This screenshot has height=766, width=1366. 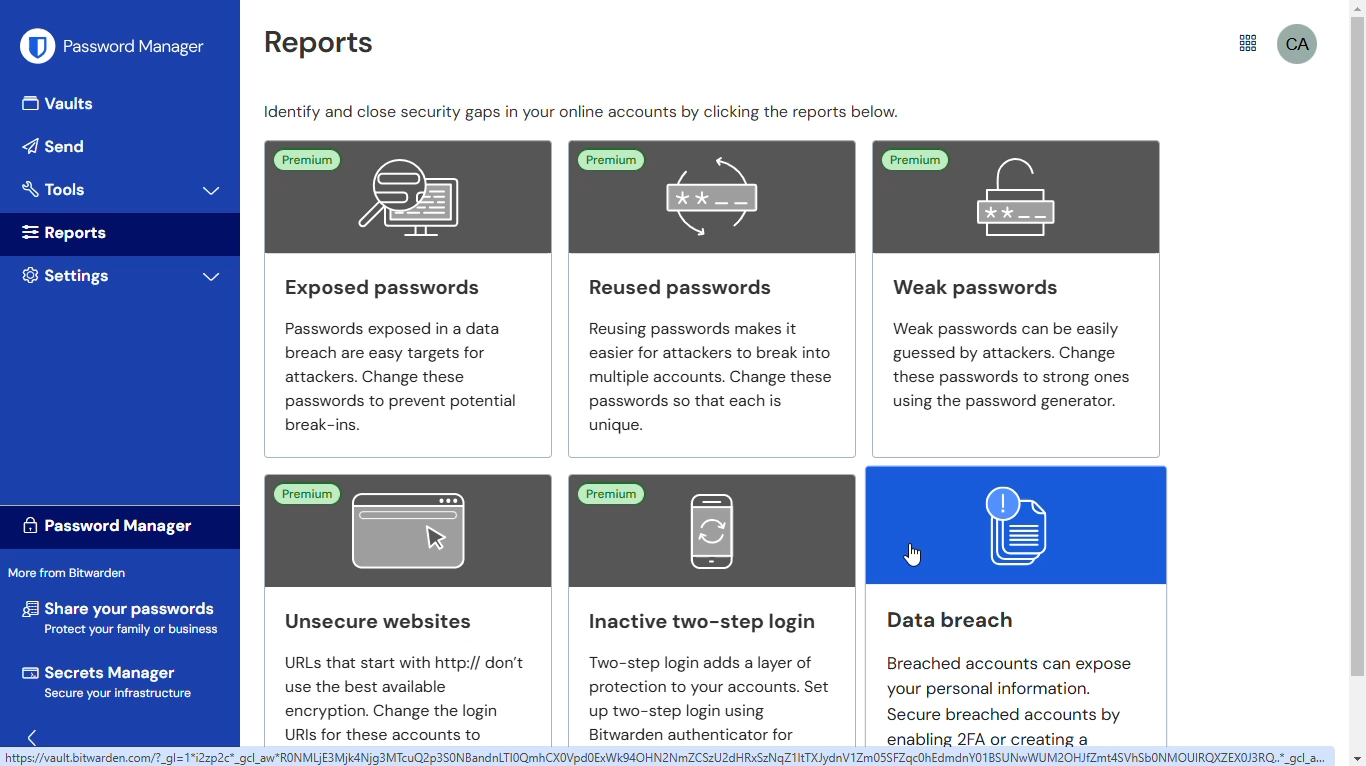 I want to click on share your passwords protect your family or business, so click(x=121, y=614).